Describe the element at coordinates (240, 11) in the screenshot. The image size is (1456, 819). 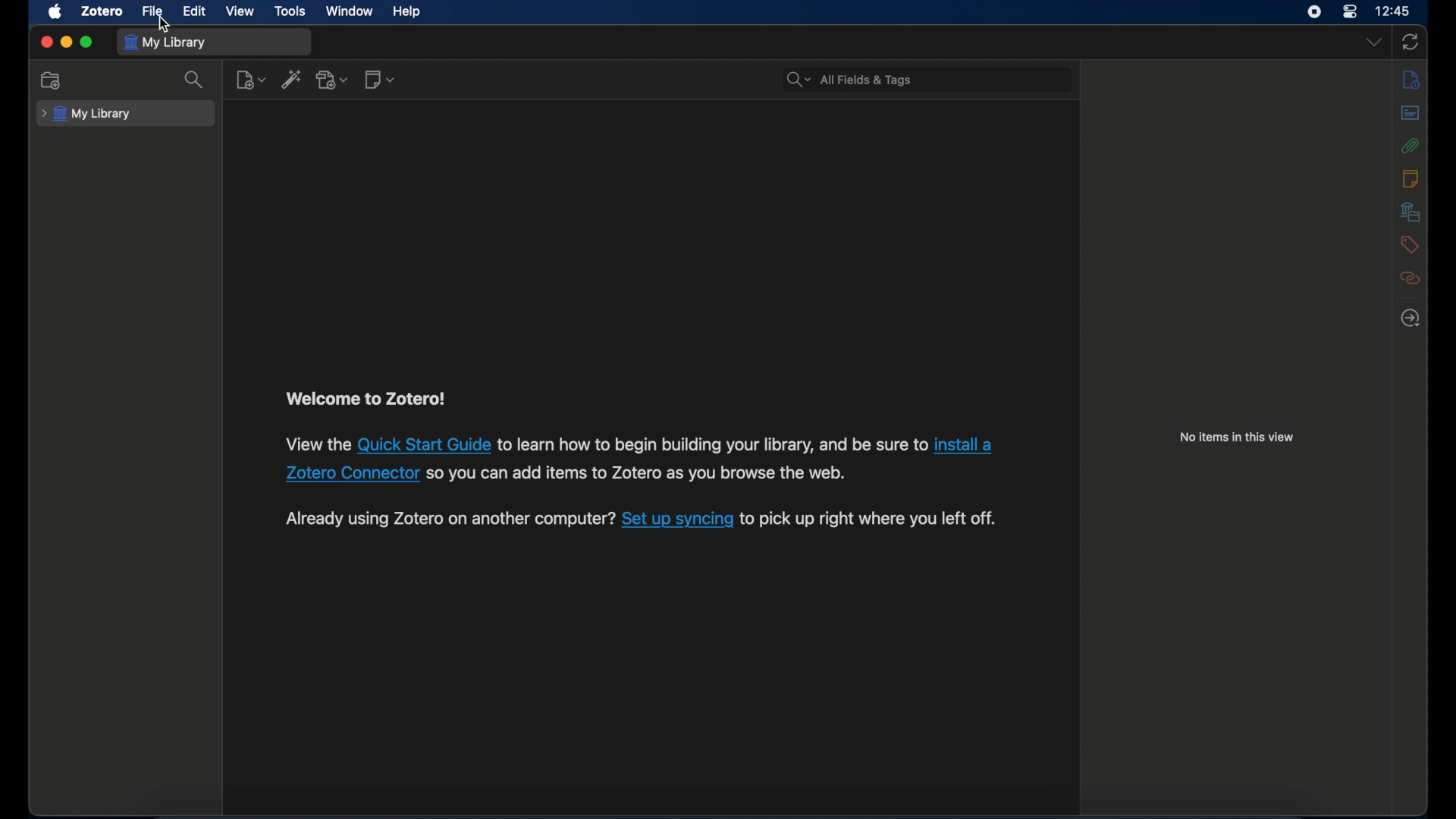
I see `view` at that location.